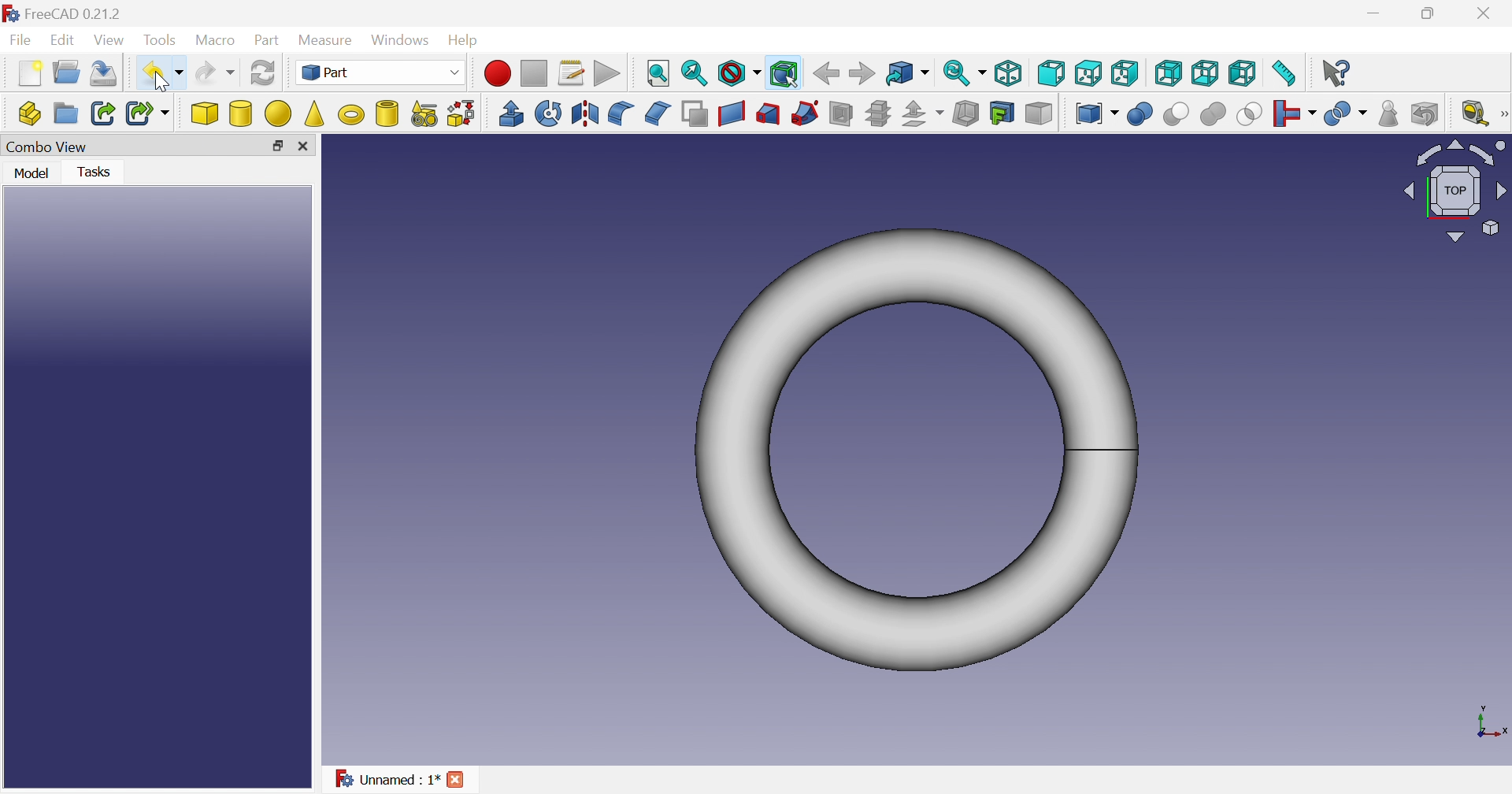  I want to click on Help, so click(468, 41).